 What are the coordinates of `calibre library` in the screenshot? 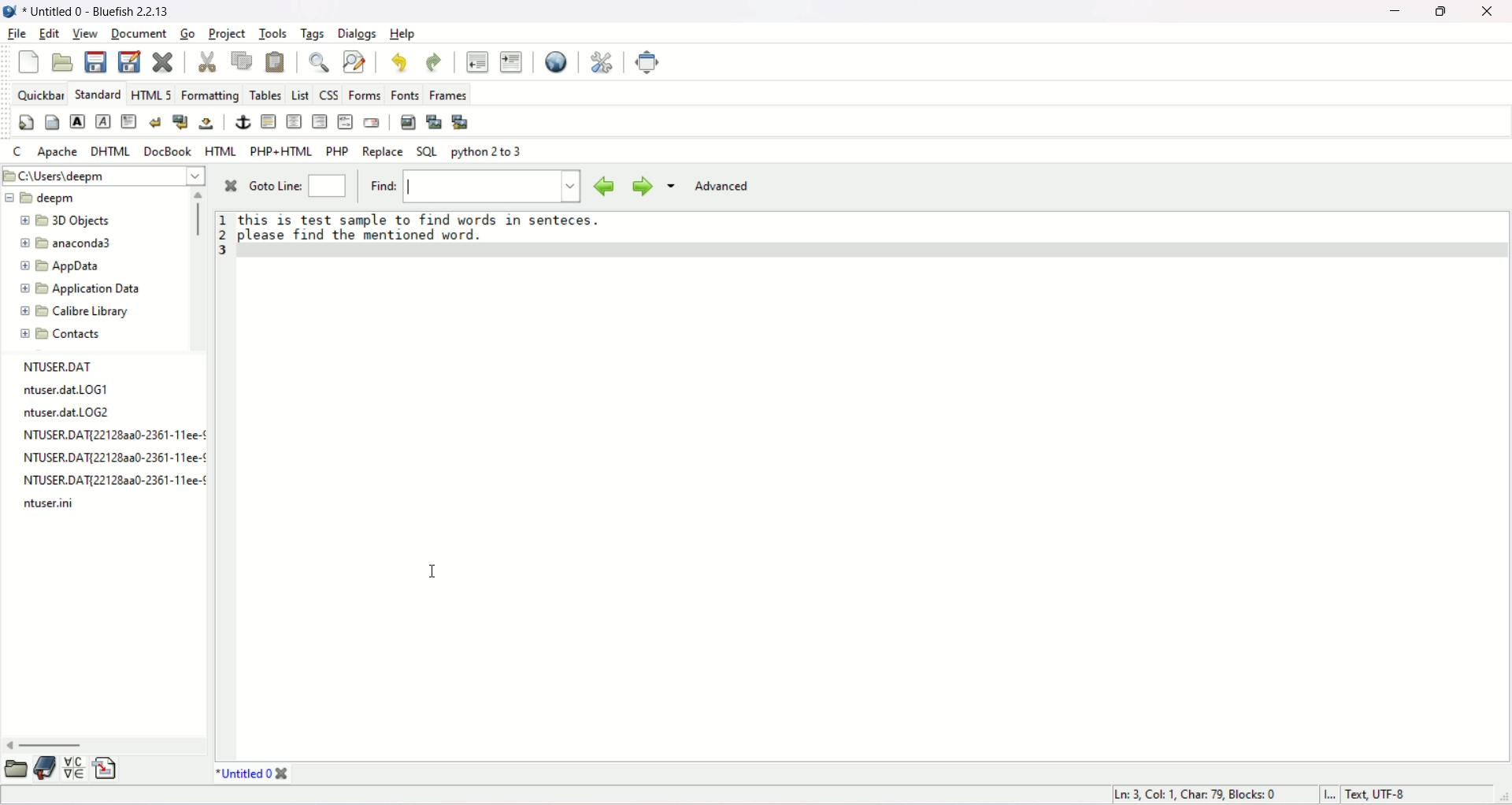 It's located at (69, 311).